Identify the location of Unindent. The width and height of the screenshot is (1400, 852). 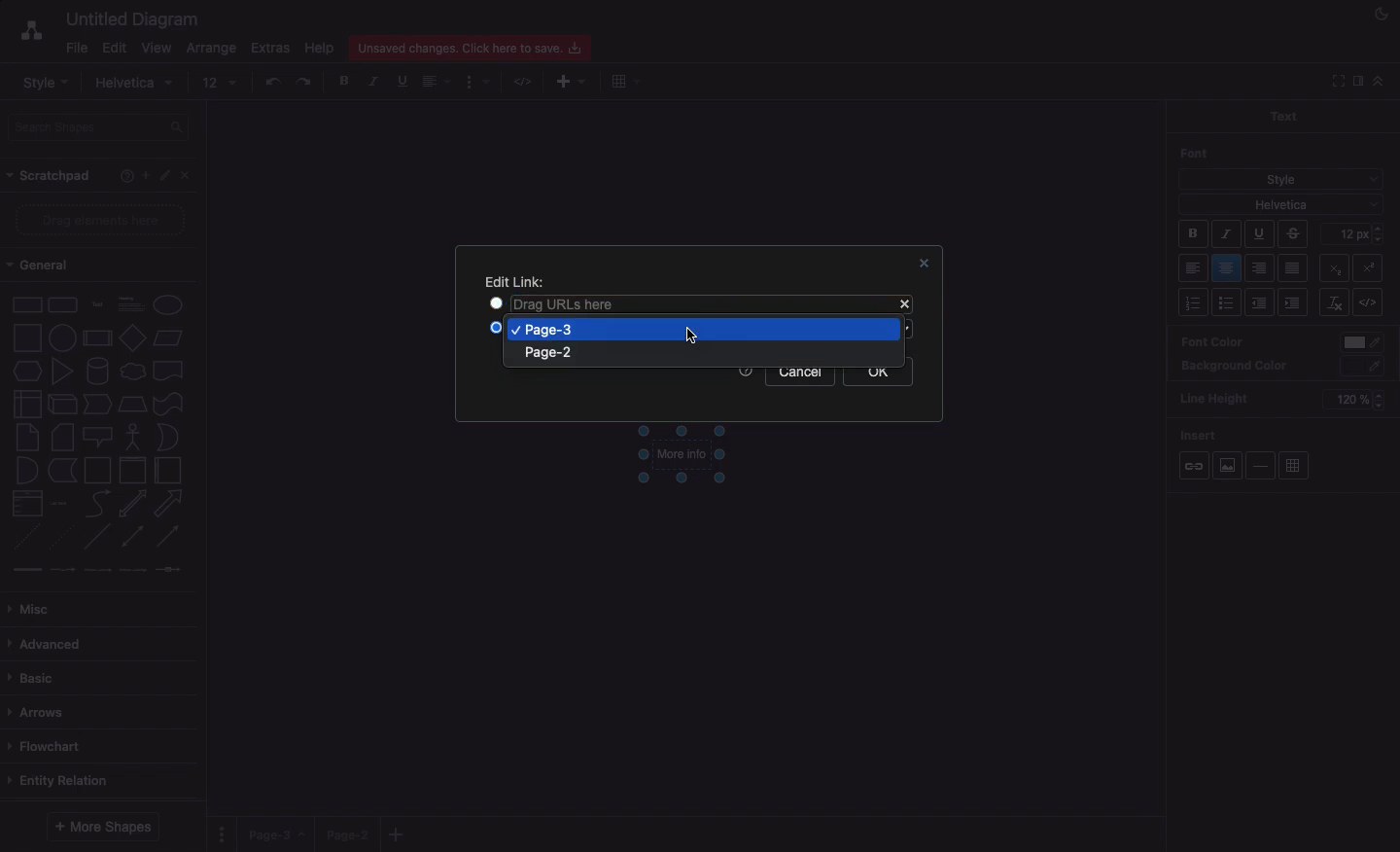
(1262, 302).